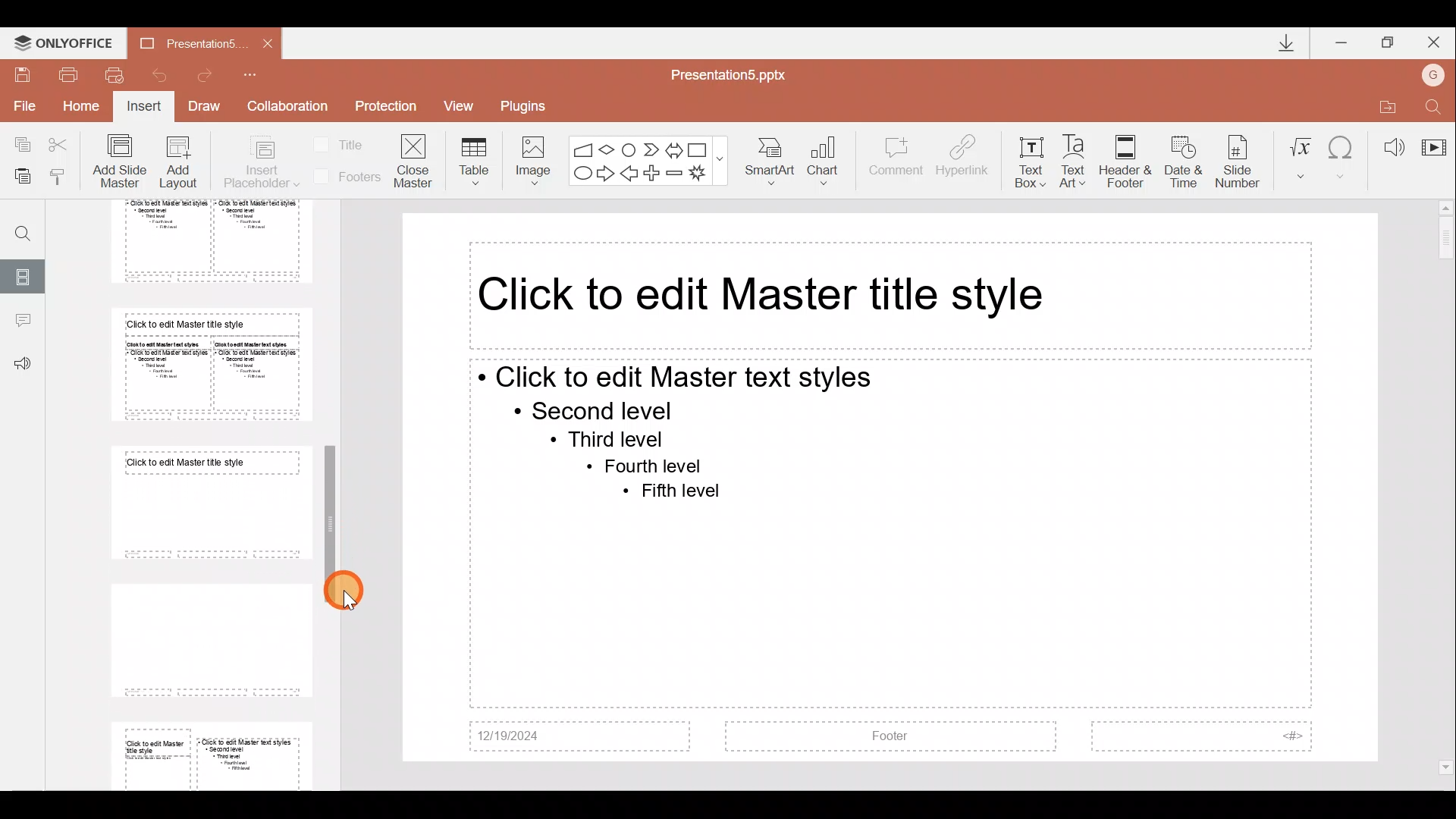 The image size is (1456, 819). What do you see at coordinates (1241, 158) in the screenshot?
I see `Slide number` at bounding box center [1241, 158].